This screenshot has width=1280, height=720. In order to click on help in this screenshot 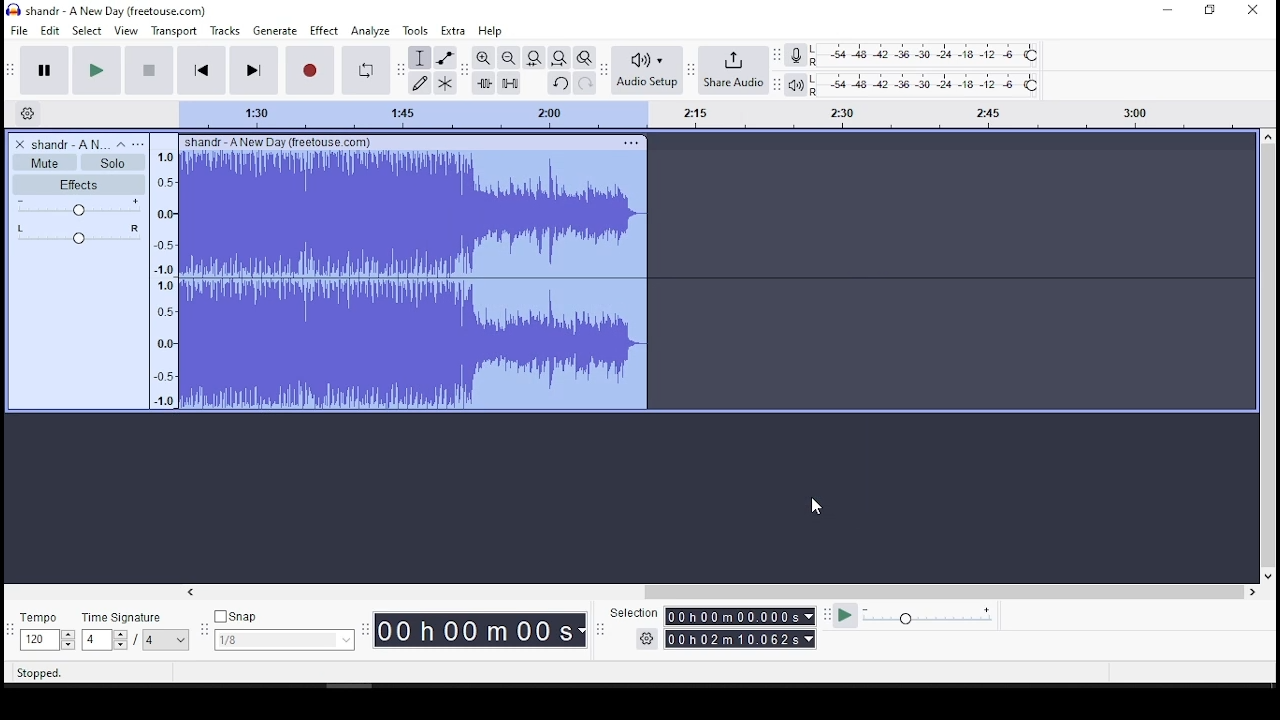, I will do `click(489, 30)`.